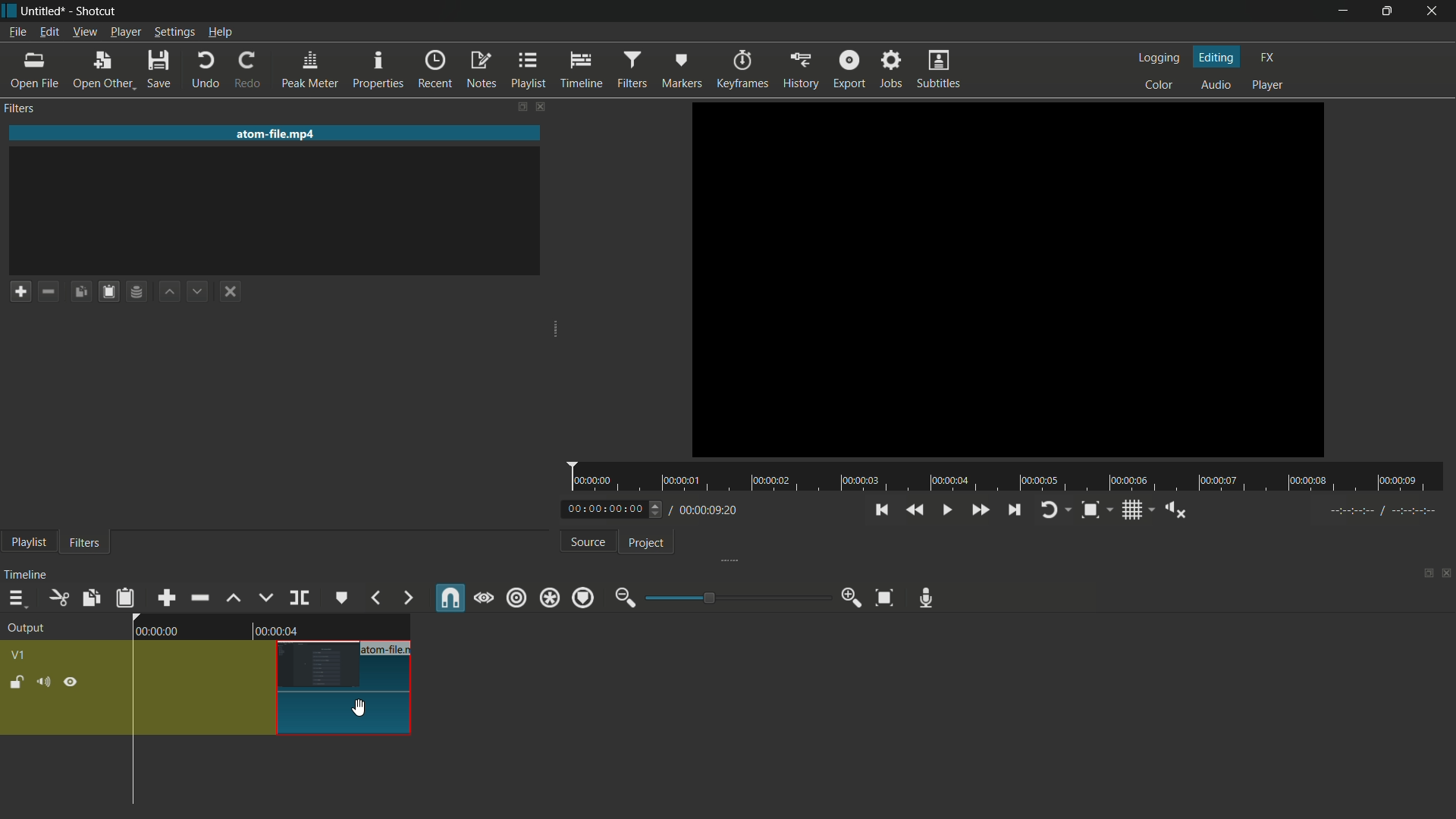  Describe the element at coordinates (1218, 57) in the screenshot. I see `editing` at that location.